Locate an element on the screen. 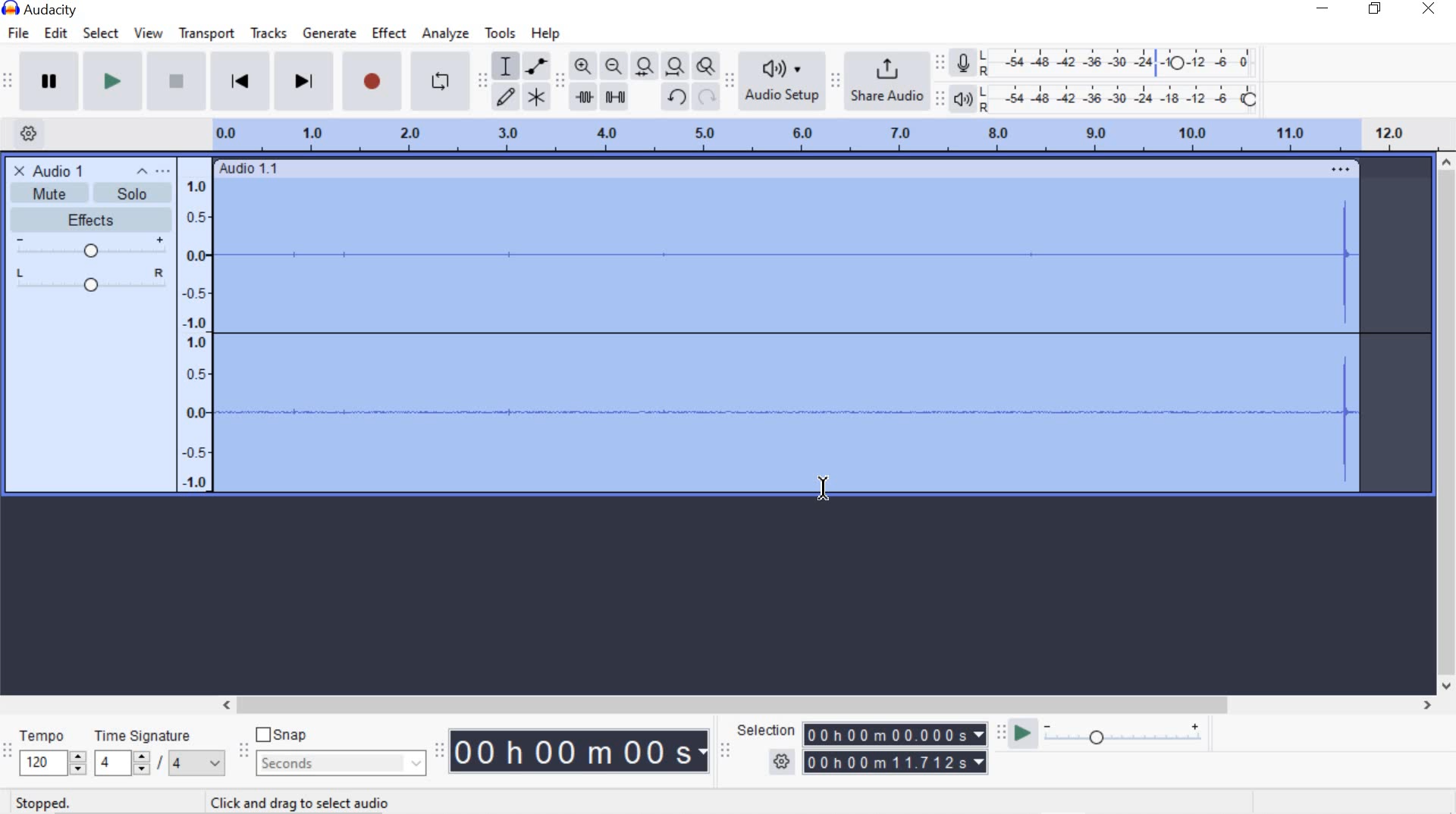 This screenshot has height=814, width=1456. Trim audio outside selection is located at coordinates (583, 95).